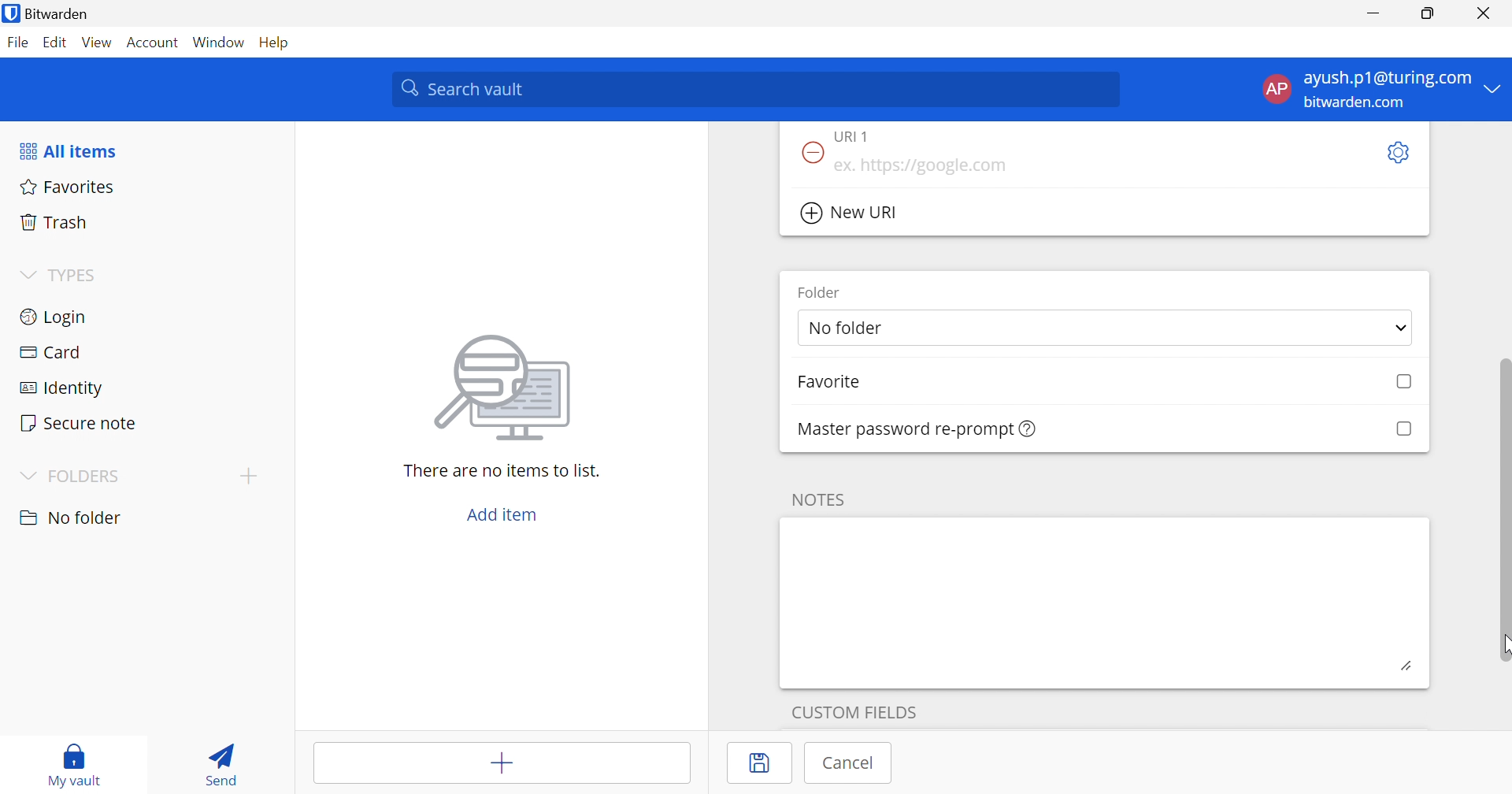 The image size is (1512, 794). What do you see at coordinates (862, 135) in the screenshot?
I see `URI 1` at bounding box center [862, 135].